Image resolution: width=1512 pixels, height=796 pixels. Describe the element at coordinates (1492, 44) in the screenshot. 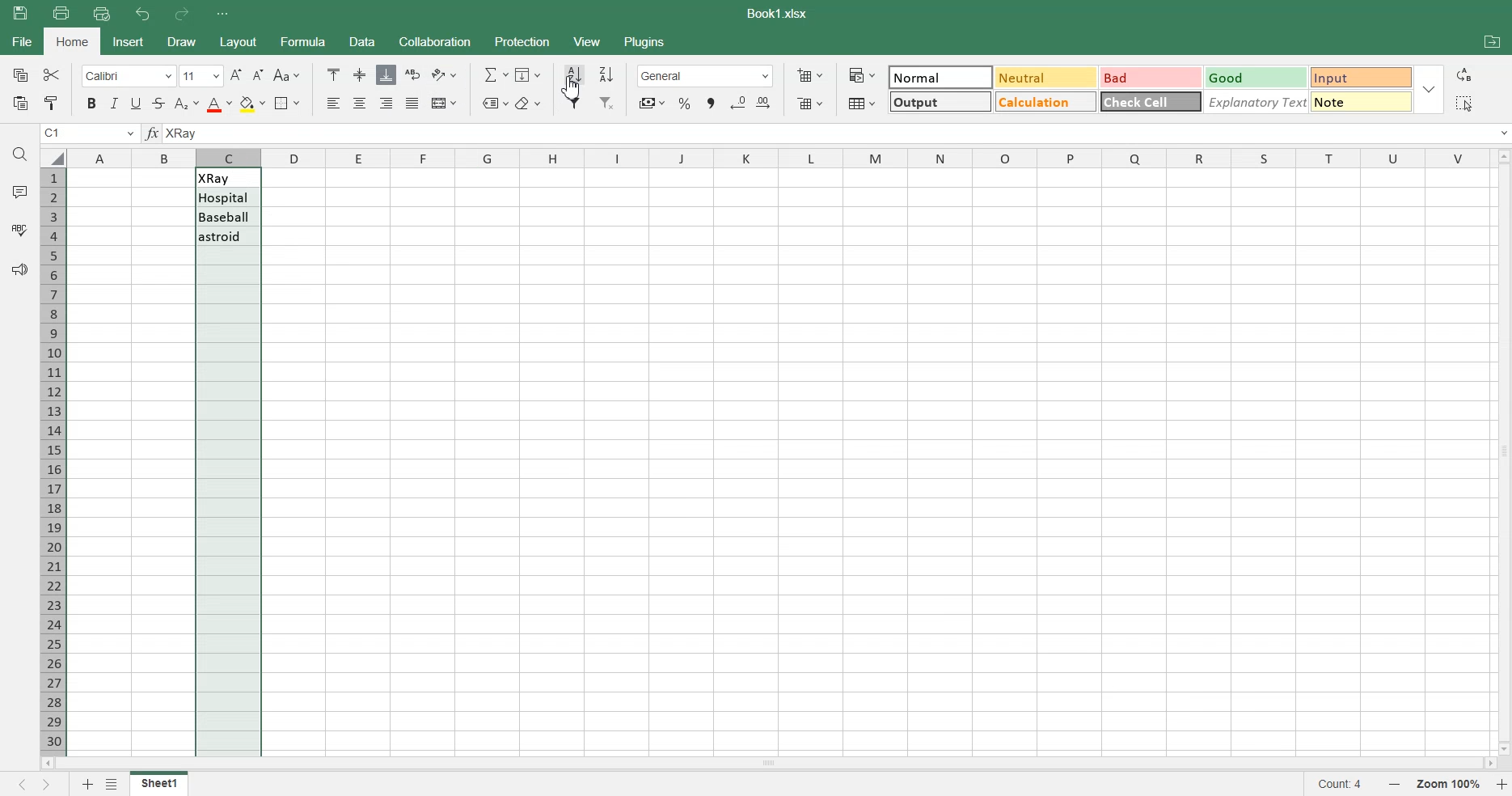

I see `Open File Location` at that location.